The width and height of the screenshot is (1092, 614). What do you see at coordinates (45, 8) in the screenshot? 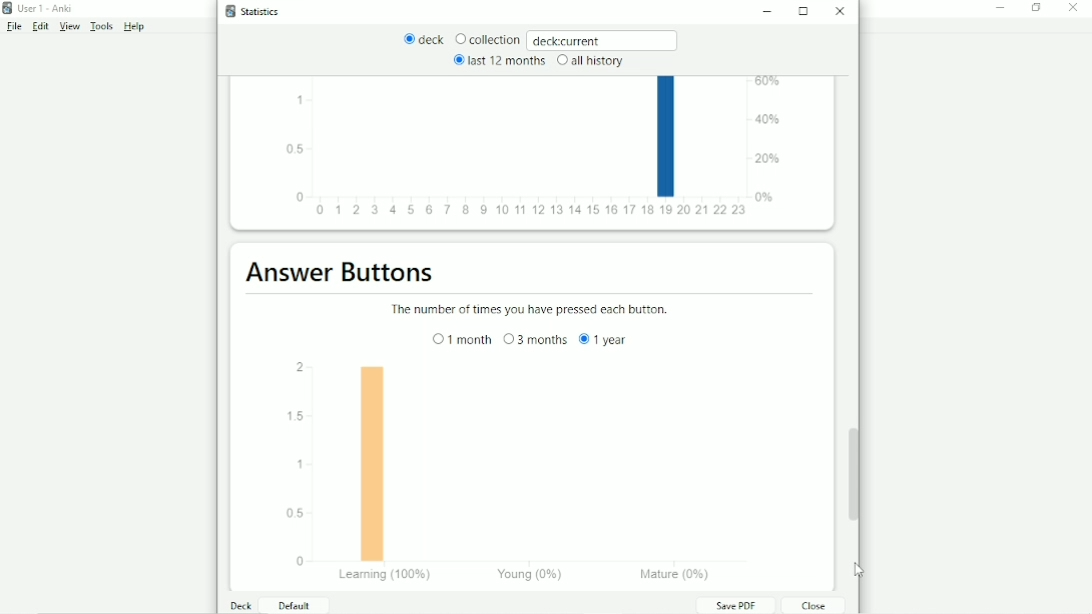
I see `User 1 - Anki` at bounding box center [45, 8].